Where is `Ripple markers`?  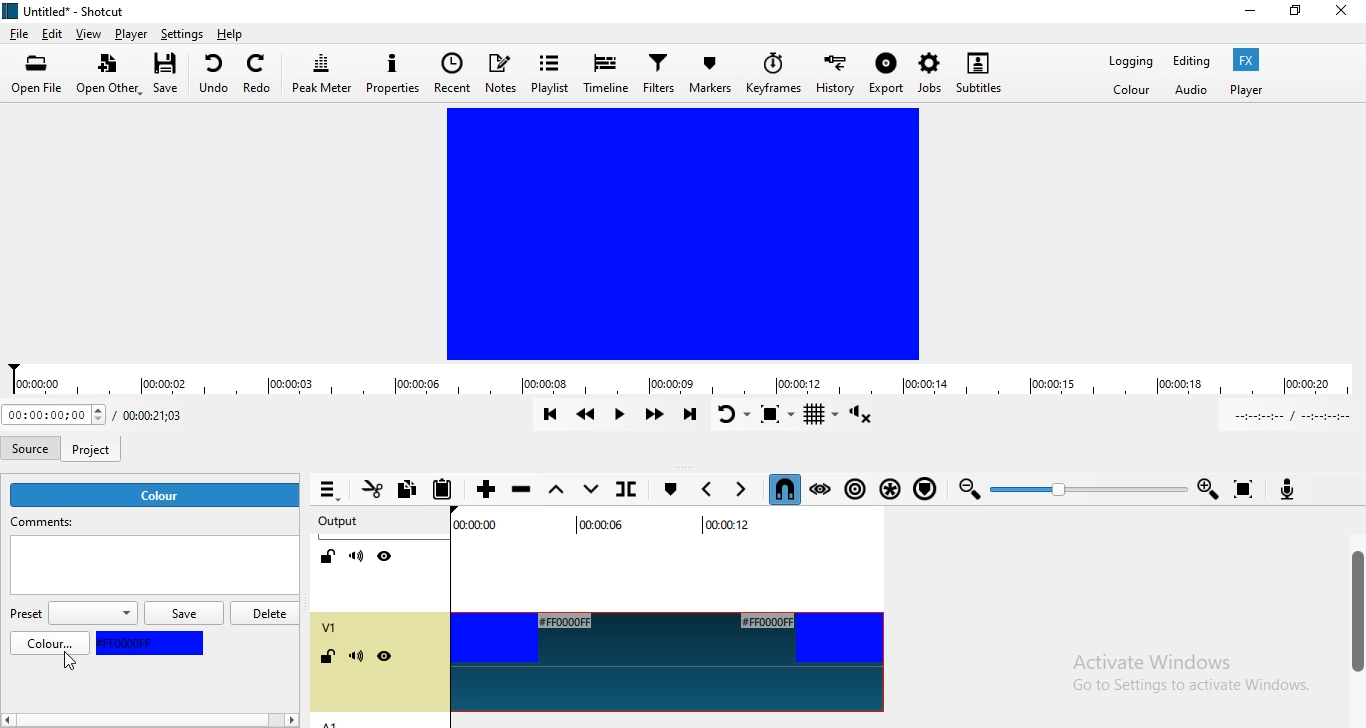 Ripple markers is located at coordinates (924, 490).